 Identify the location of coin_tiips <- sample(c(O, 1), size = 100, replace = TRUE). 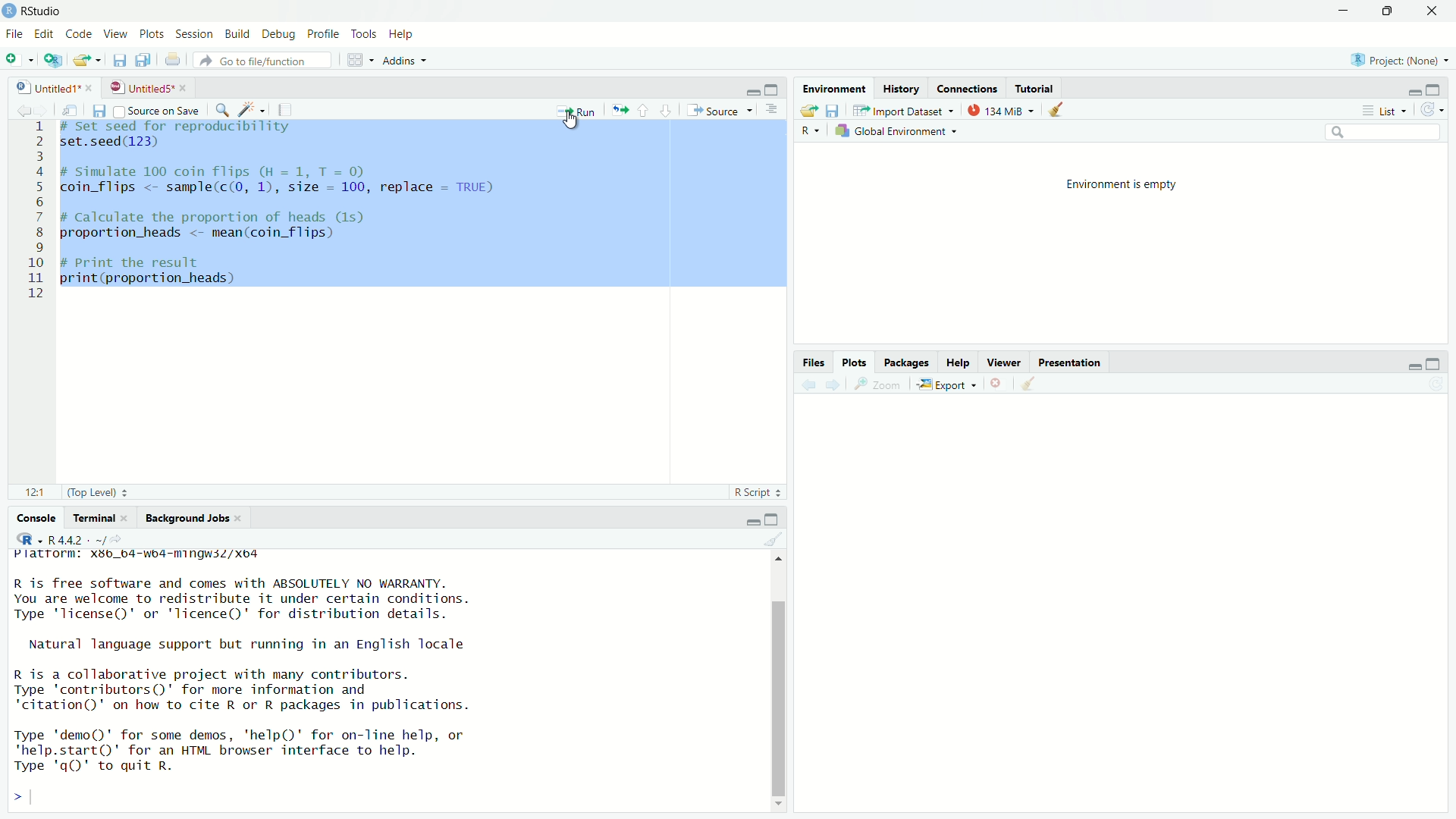
(286, 188).